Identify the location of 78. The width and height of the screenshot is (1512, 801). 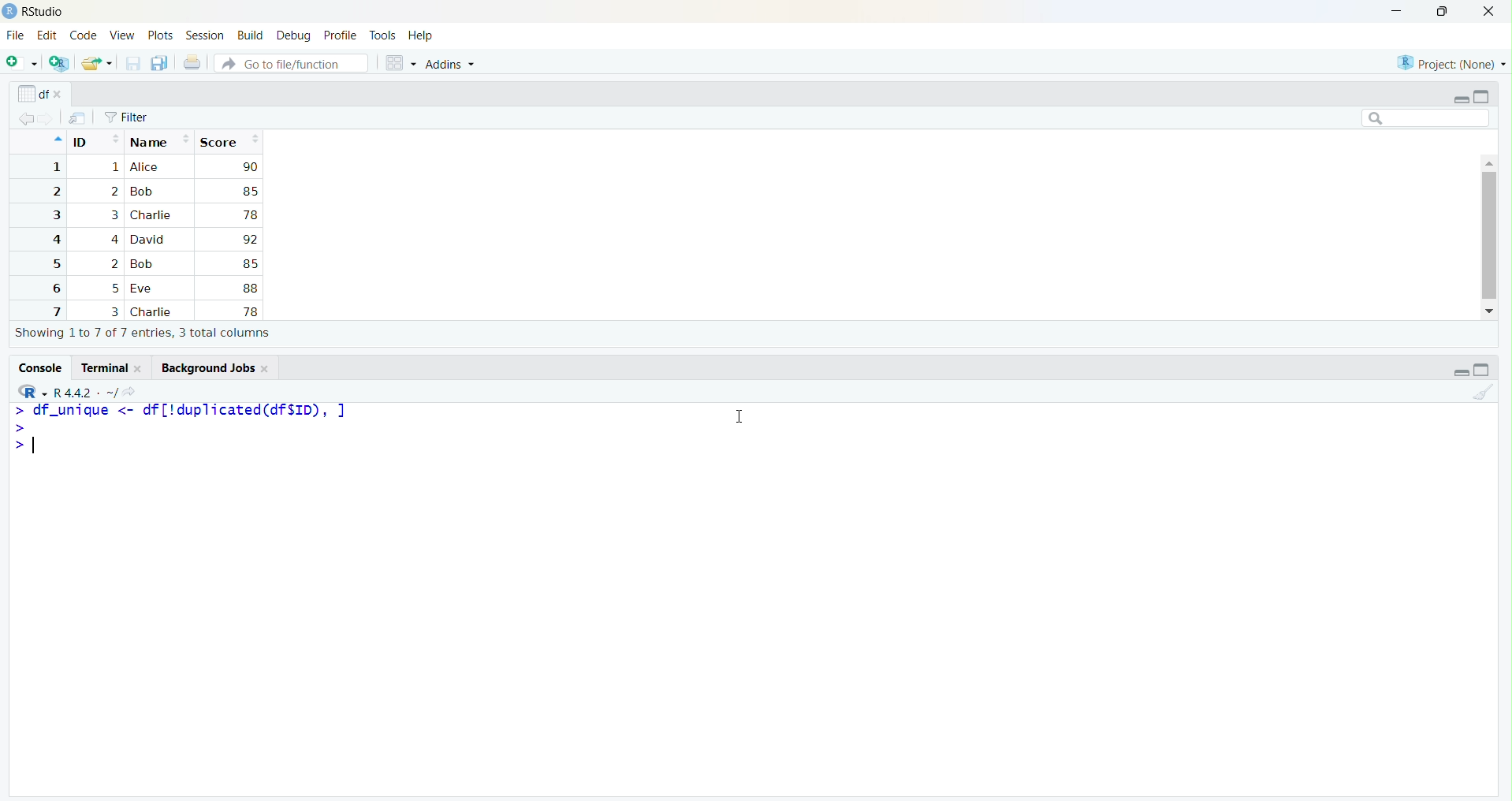
(249, 311).